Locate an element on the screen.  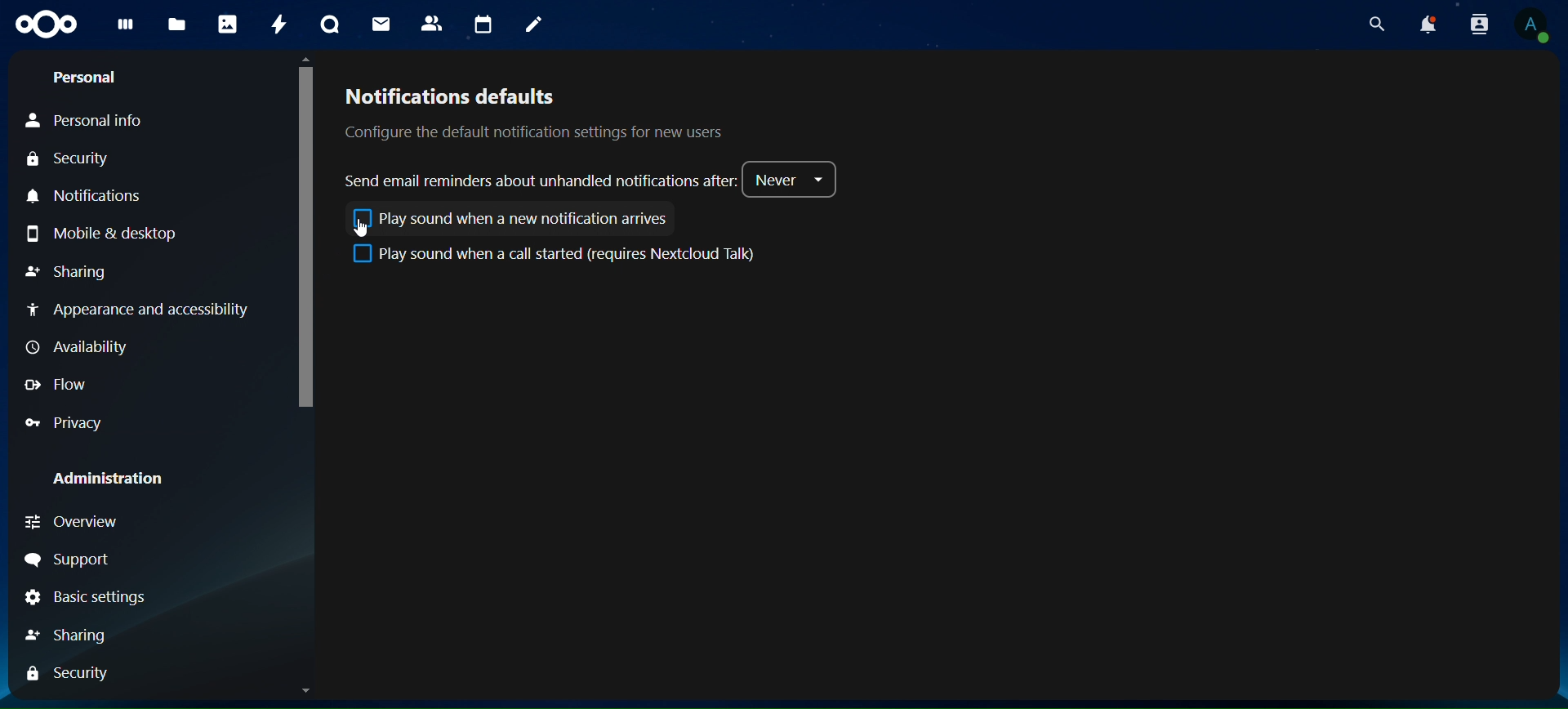
talk is located at coordinates (327, 26).